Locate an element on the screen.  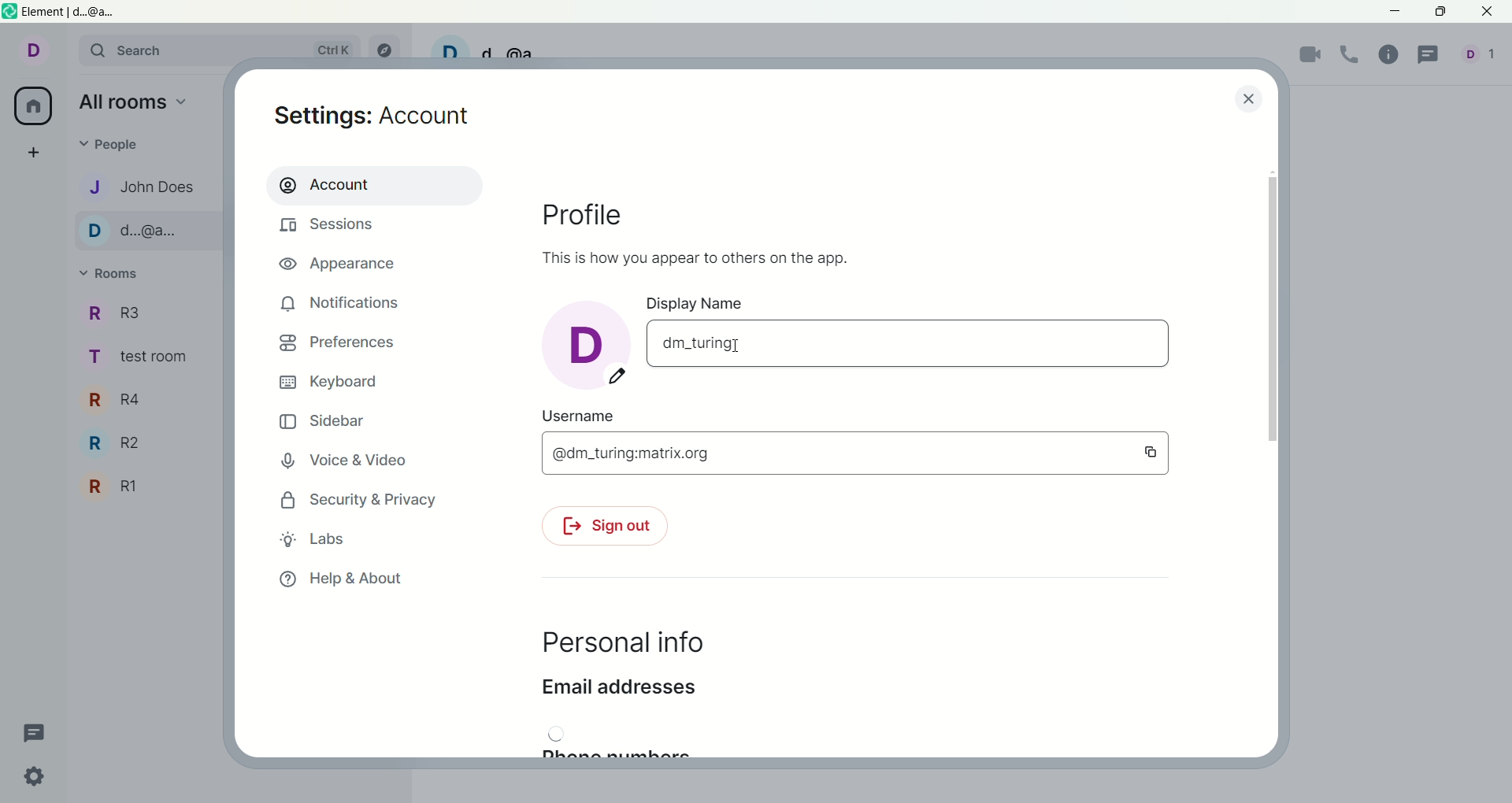
search is located at coordinates (226, 51).